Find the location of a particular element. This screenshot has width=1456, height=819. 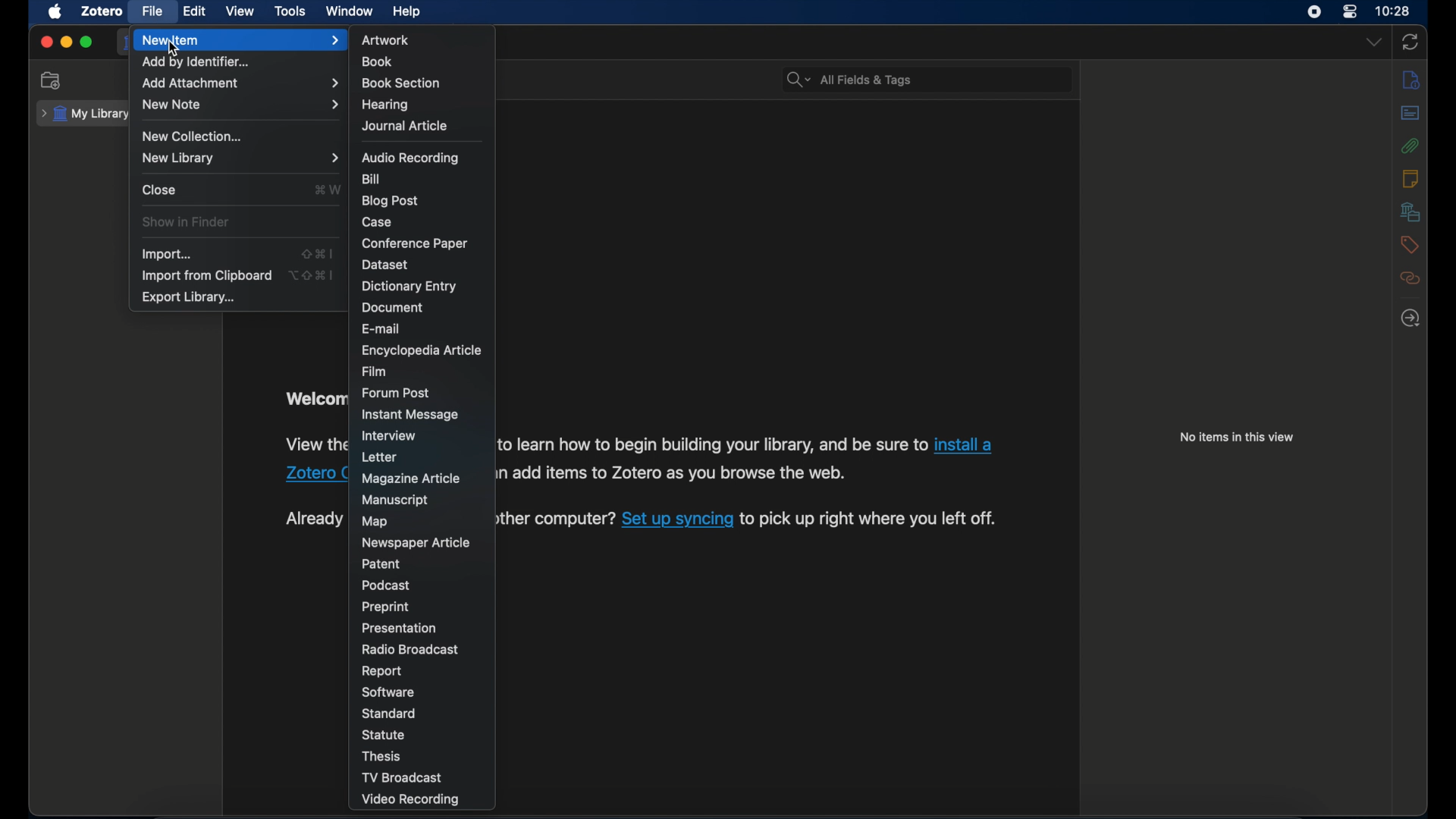

software is located at coordinates (387, 693).